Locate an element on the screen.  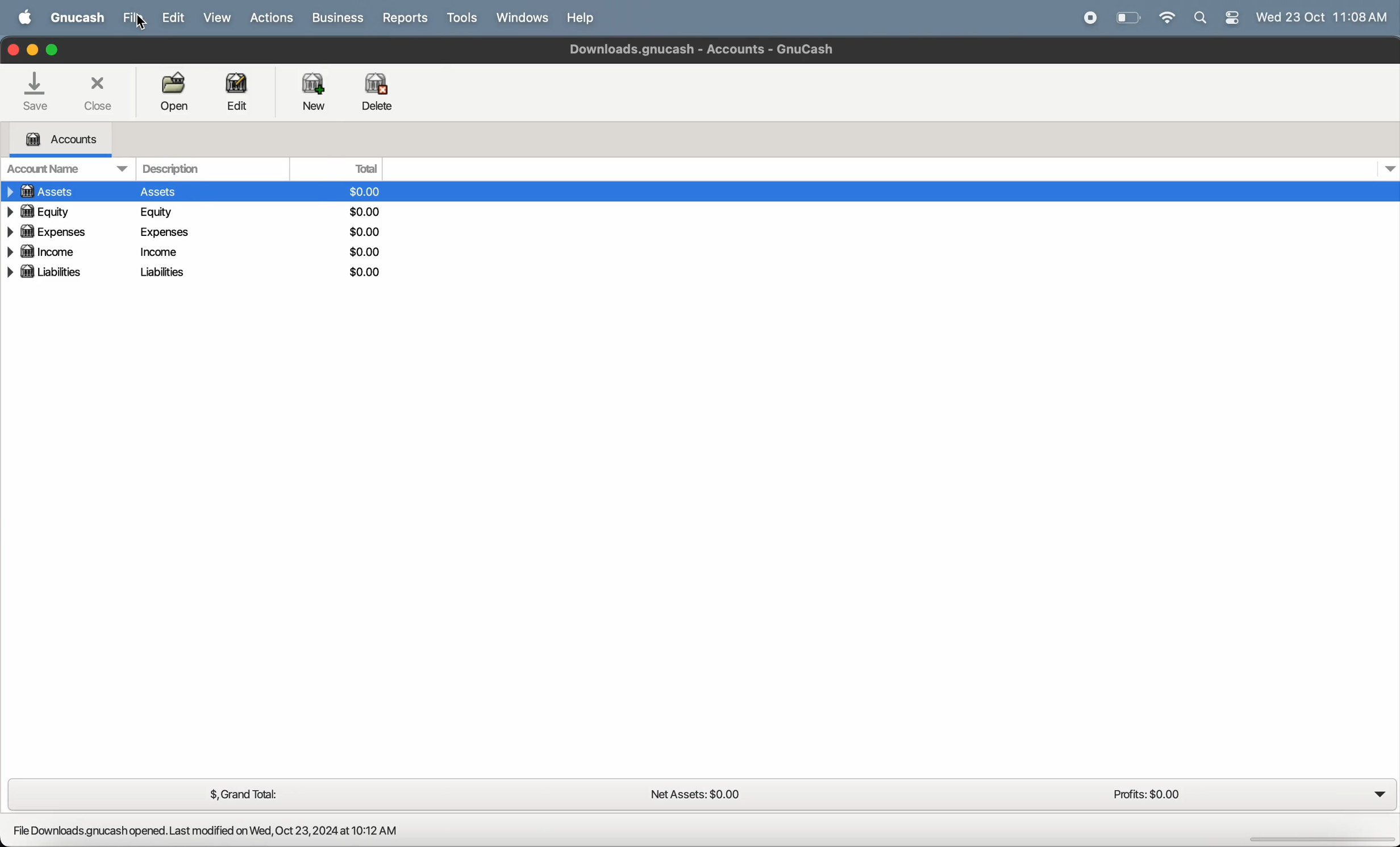
view is located at coordinates (213, 17).